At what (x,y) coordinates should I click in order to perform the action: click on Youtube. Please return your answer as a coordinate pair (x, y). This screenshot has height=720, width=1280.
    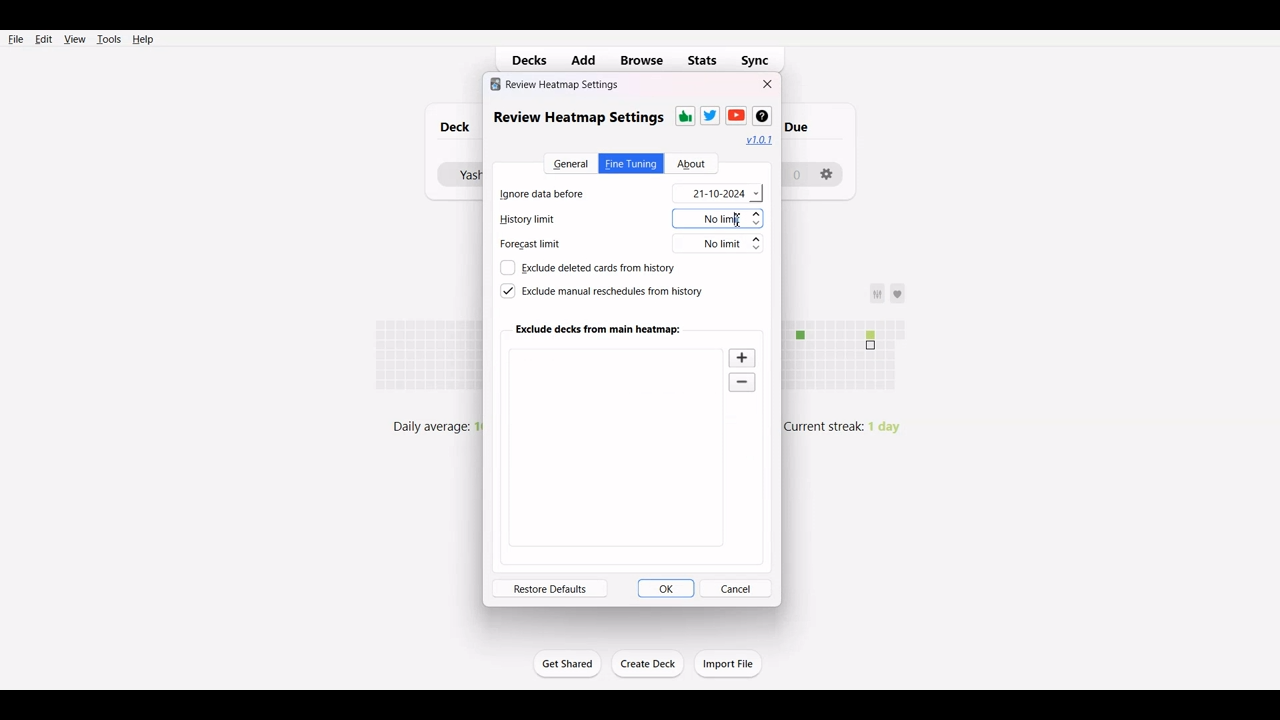
    Looking at the image, I should click on (736, 115).